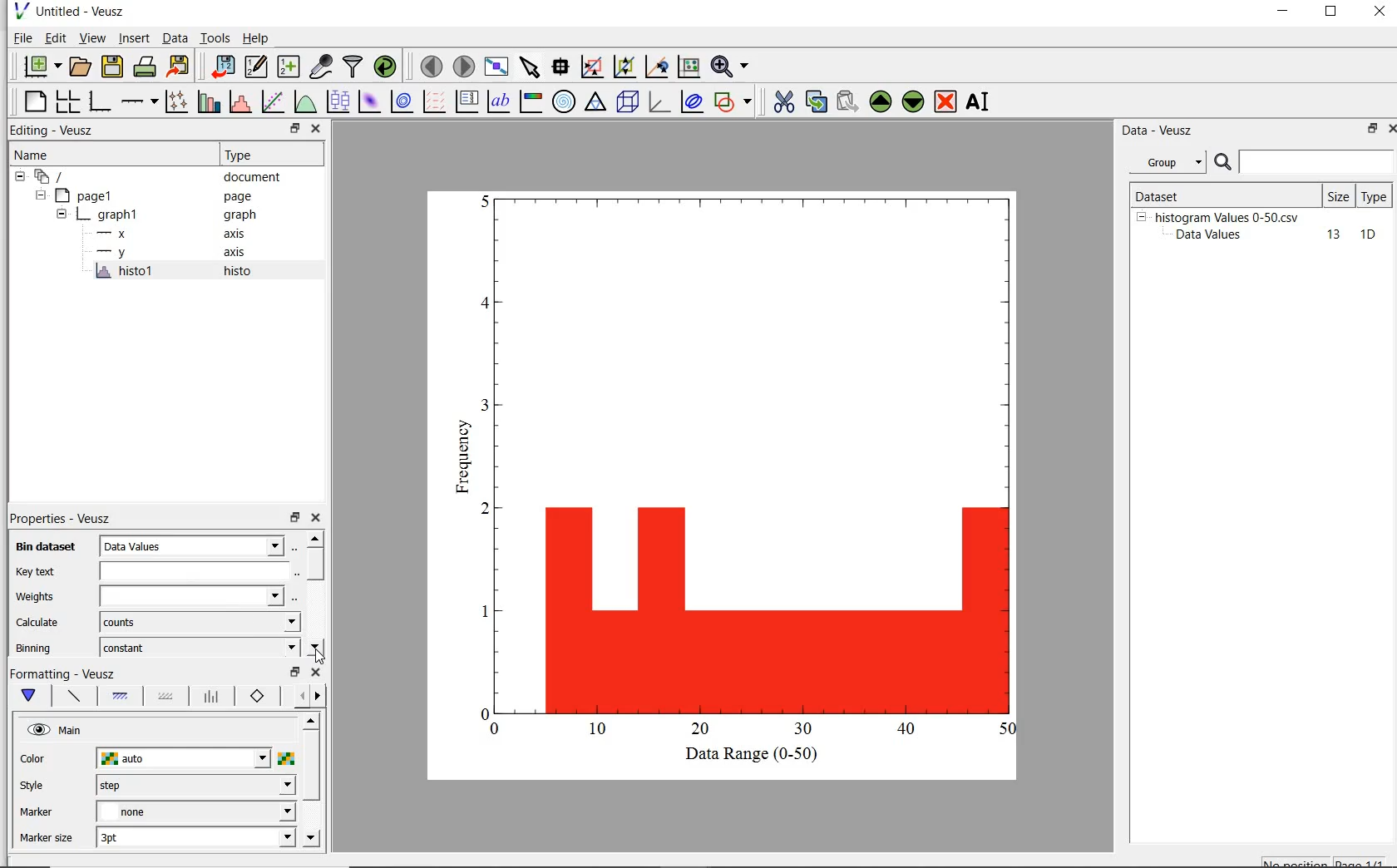  What do you see at coordinates (70, 99) in the screenshot?
I see `arrange graphs in a grid ` at bounding box center [70, 99].